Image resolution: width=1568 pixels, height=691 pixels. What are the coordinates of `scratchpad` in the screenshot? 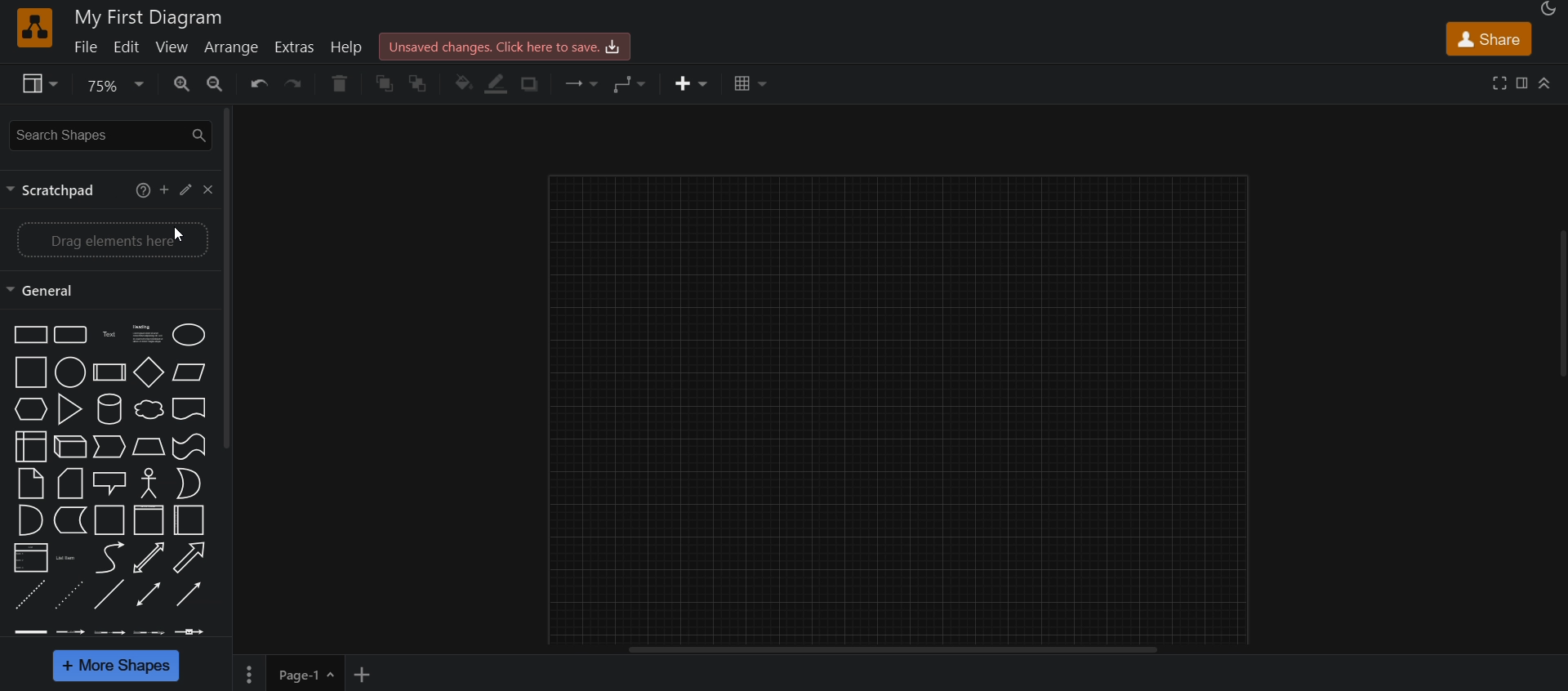 It's located at (49, 192).